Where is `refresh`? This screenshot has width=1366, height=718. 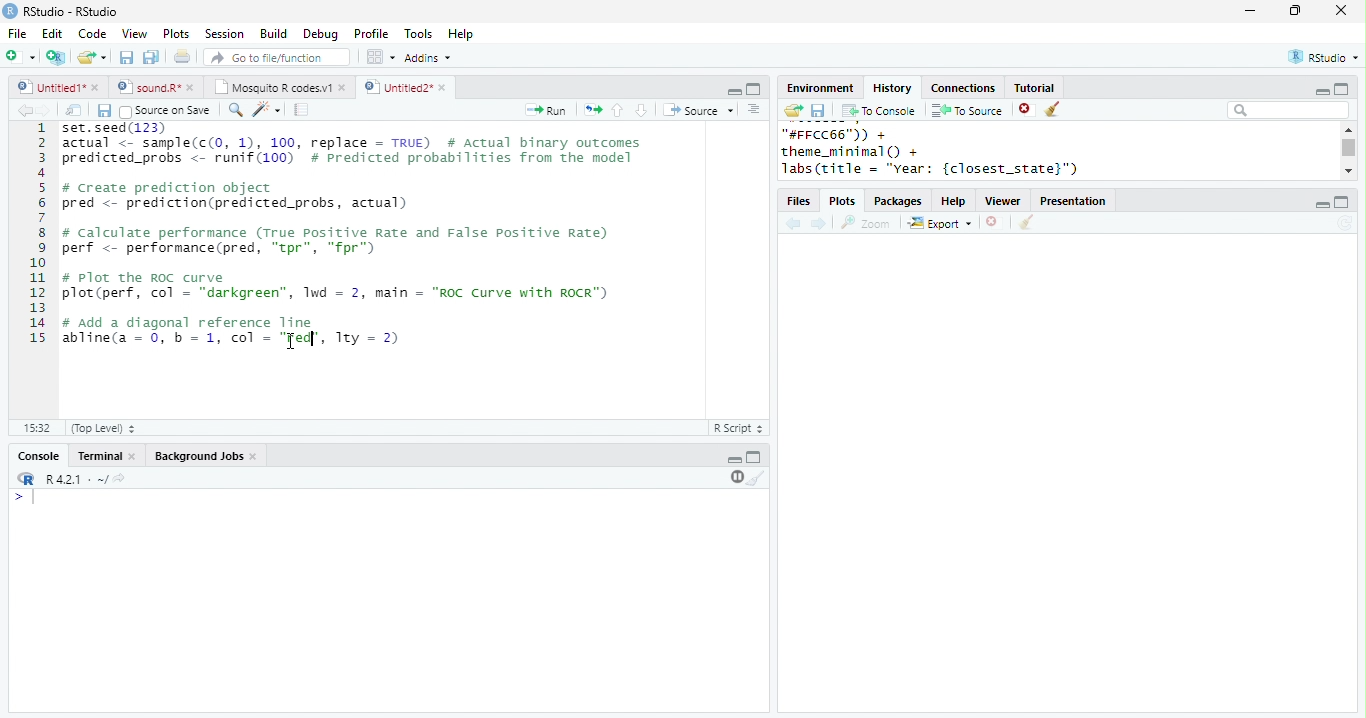 refresh is located at coordinates (1345, 223).